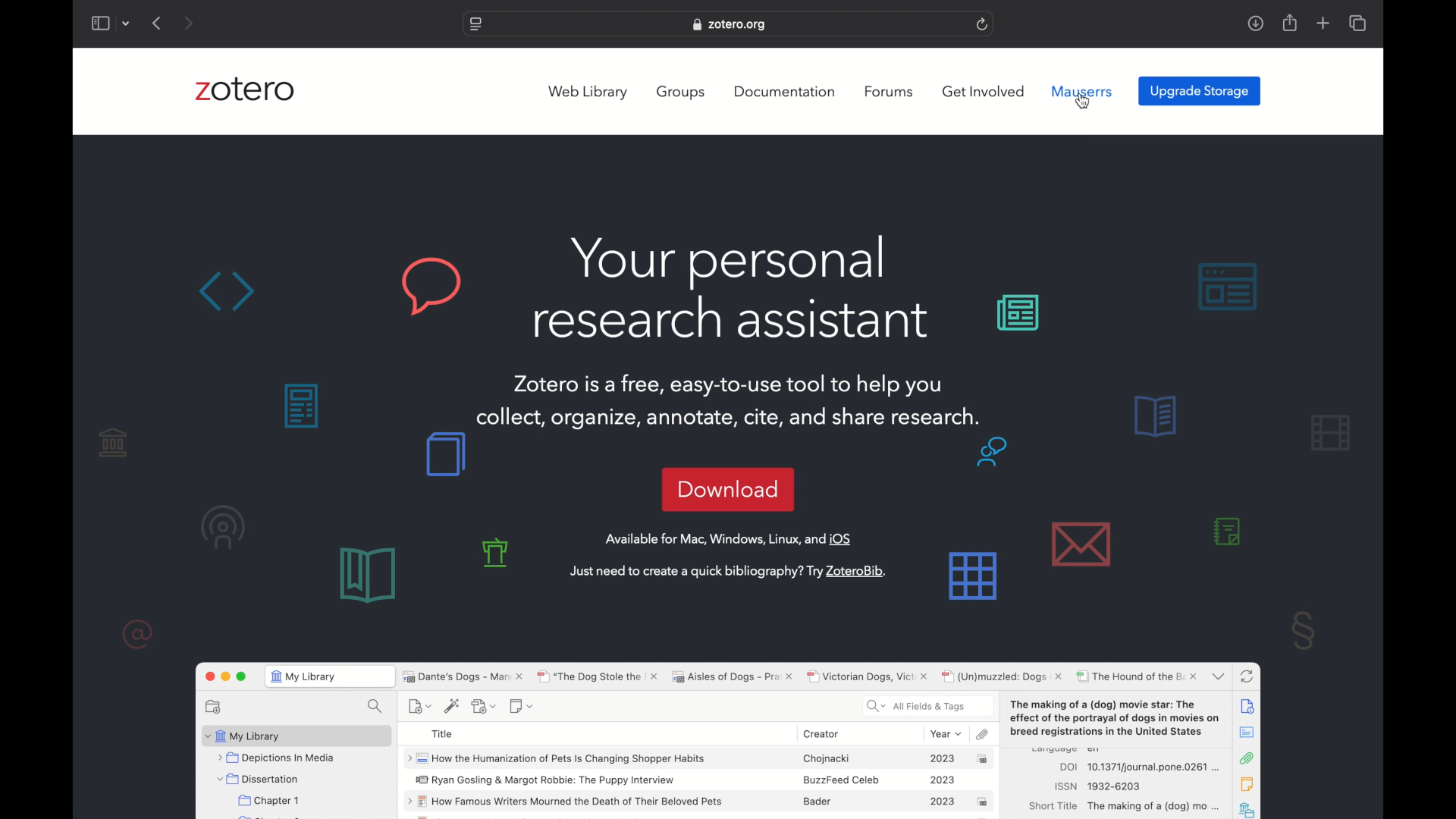 This screenshot has height=819, width=1456. I want to click on documentation, so click(784, 91).